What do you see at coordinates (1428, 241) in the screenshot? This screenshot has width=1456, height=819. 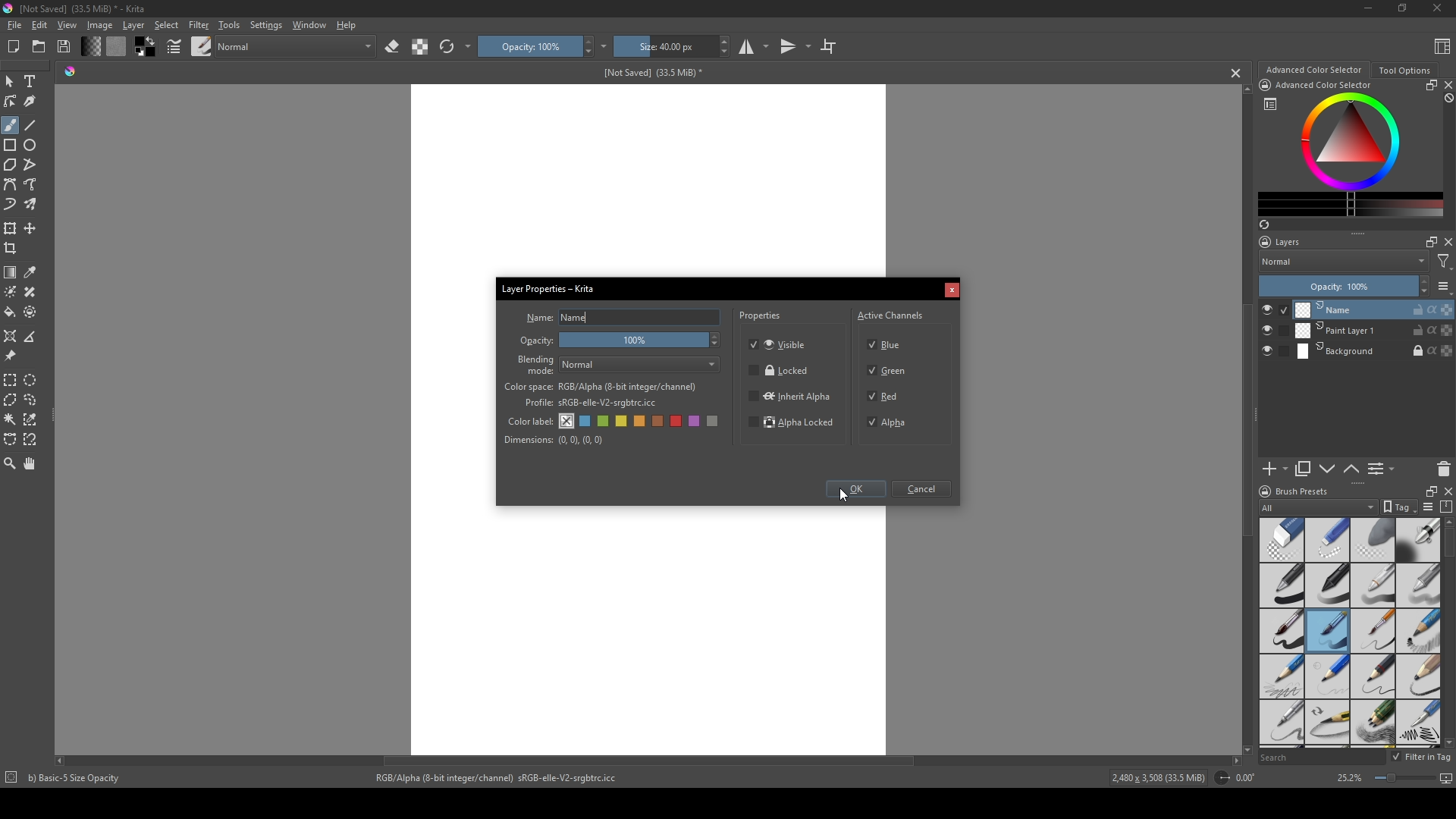 I see `maximize` at bounding box center [1428, 241].